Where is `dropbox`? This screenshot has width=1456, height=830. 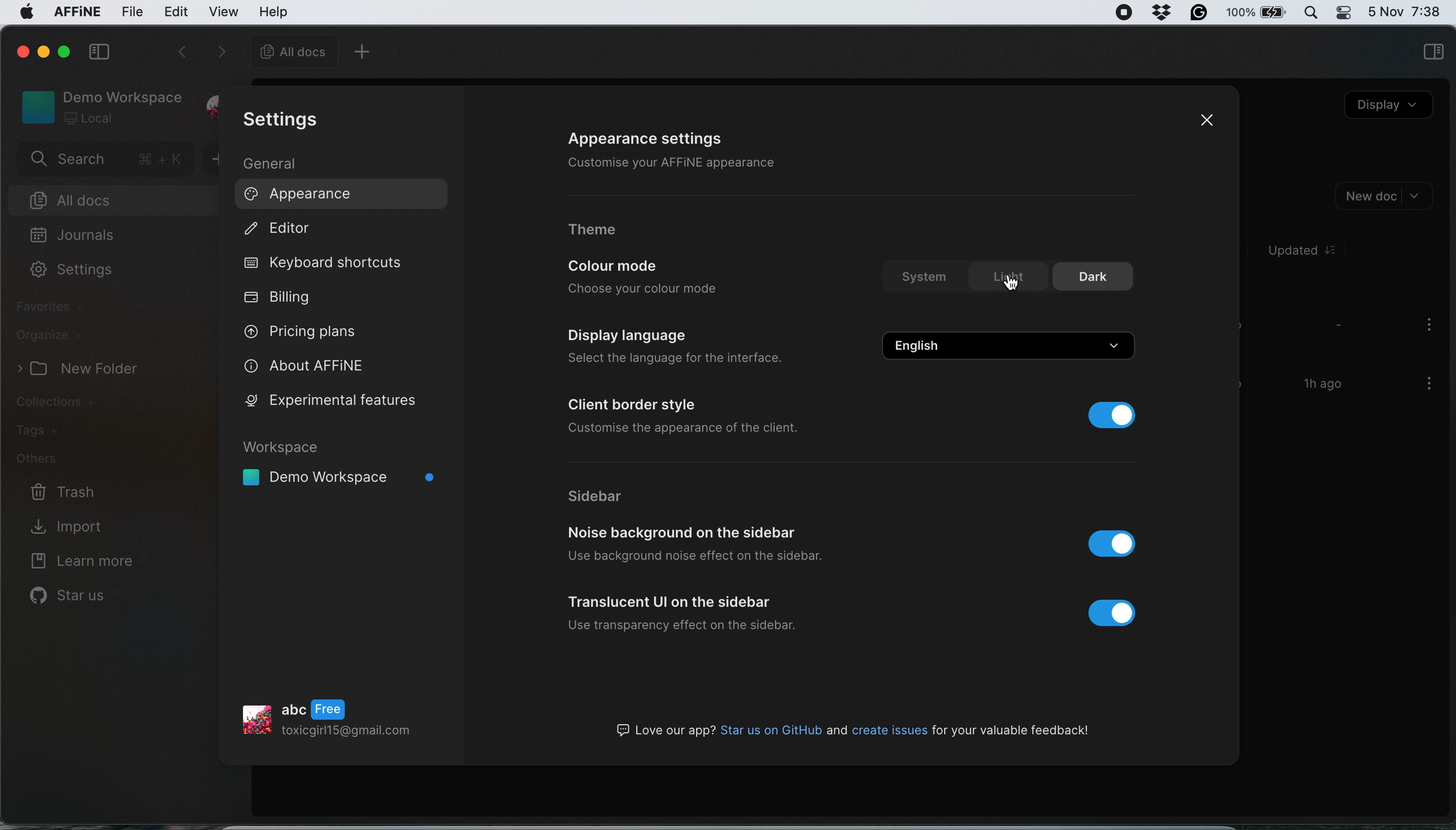 dropbox is located at coordinates (1164, 13).